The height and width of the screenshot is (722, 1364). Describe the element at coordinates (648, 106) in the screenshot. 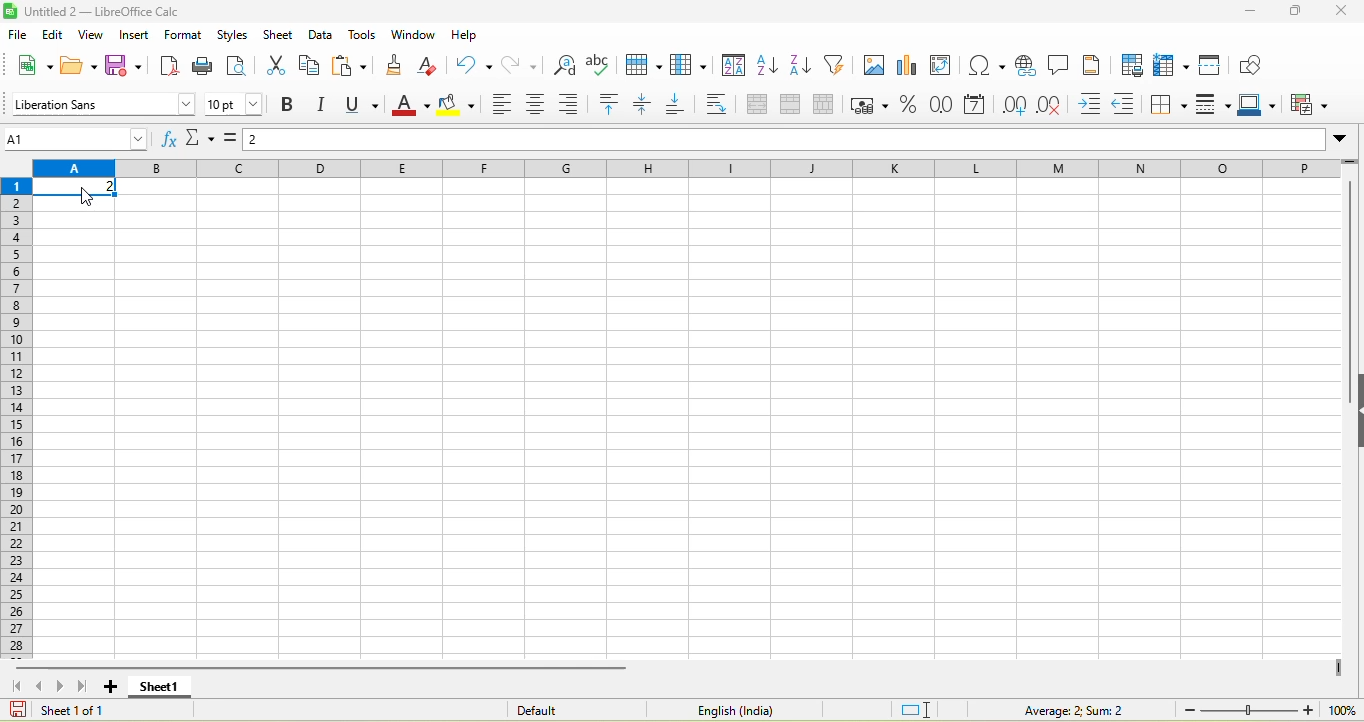

I see `center vertically` at that location.